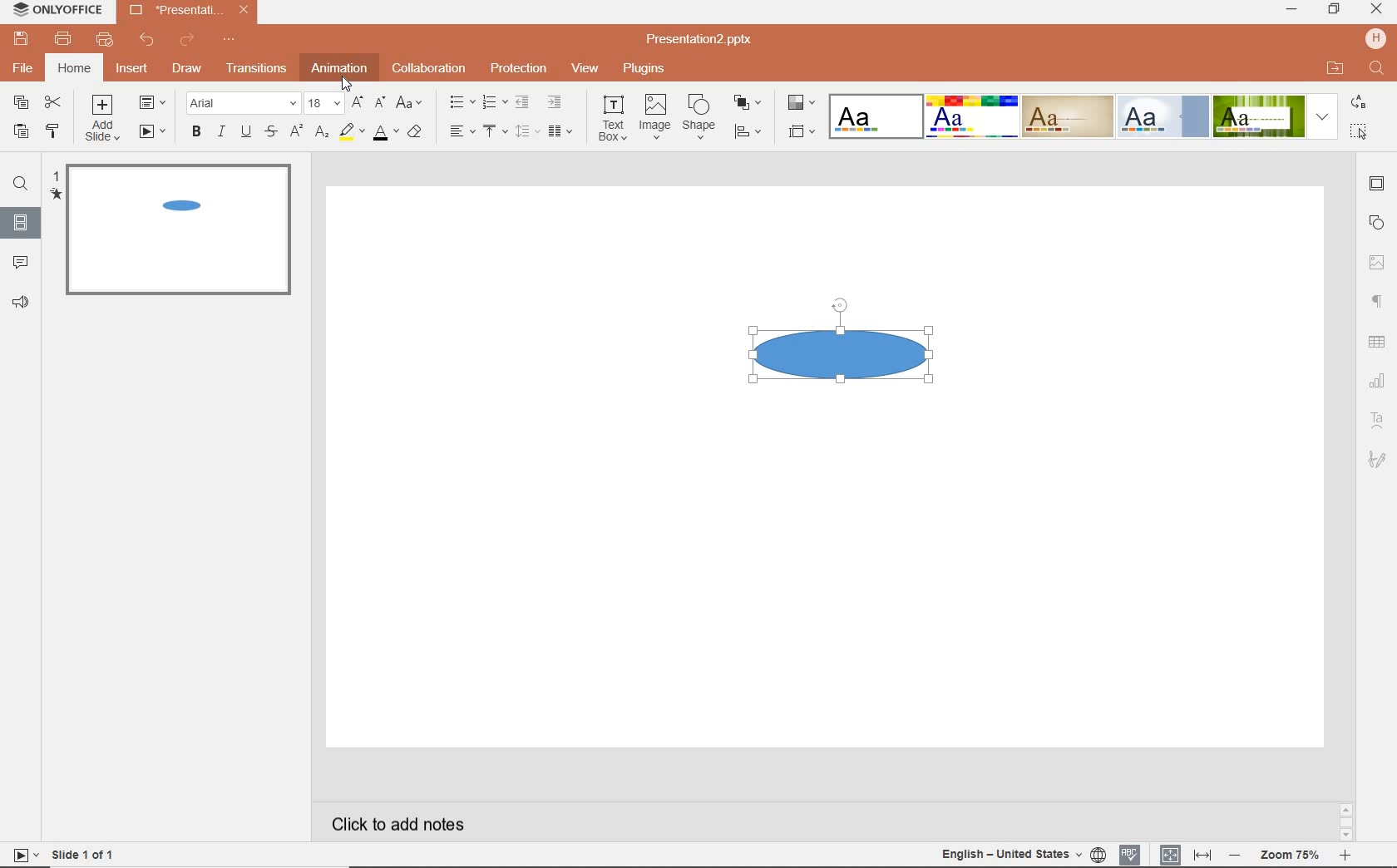  Describe the element at coordinates (614, 118) in the screenshot. I see `text box` at that location.